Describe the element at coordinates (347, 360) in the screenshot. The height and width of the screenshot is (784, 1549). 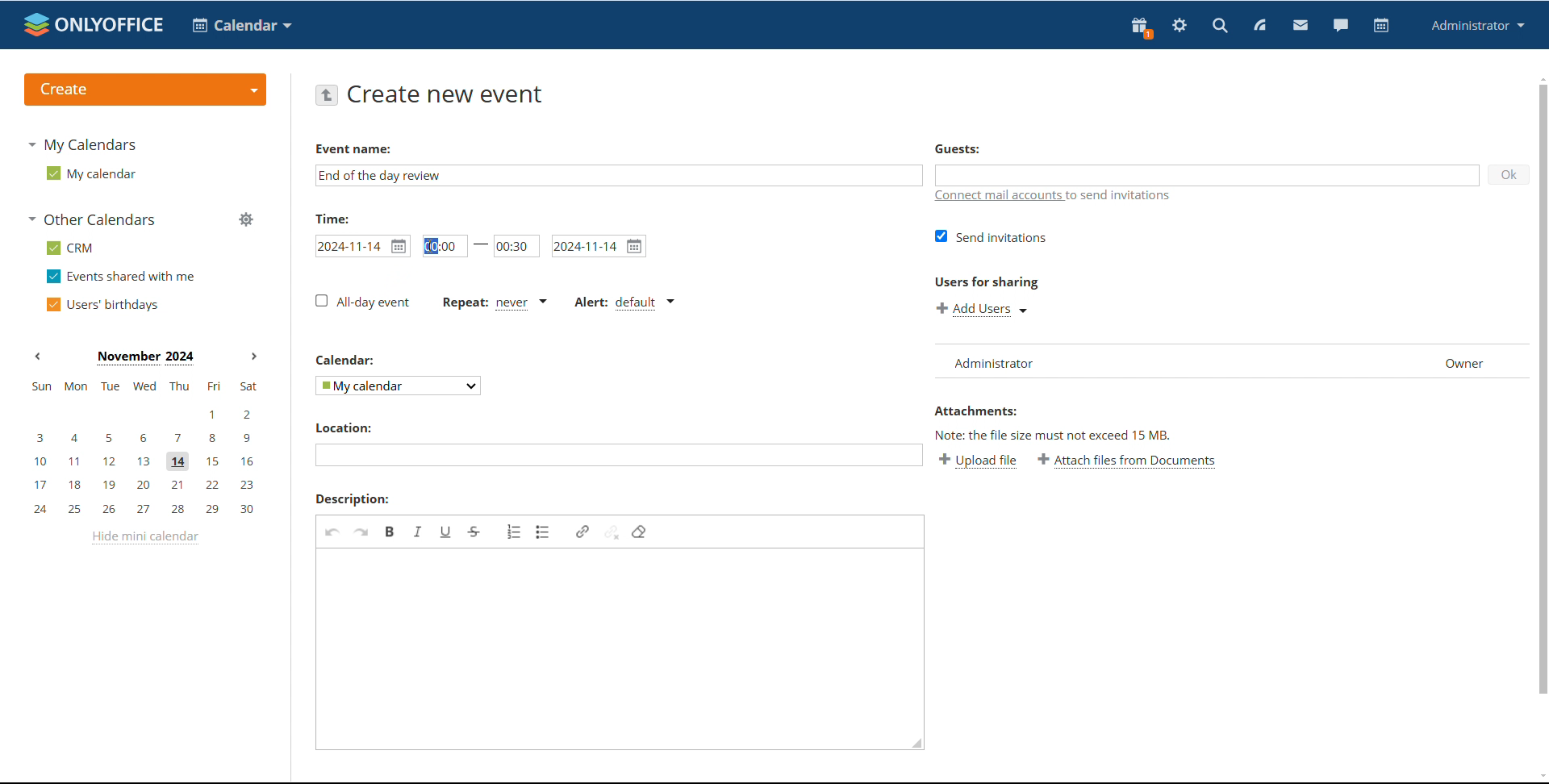
I see `calendar` at that location.